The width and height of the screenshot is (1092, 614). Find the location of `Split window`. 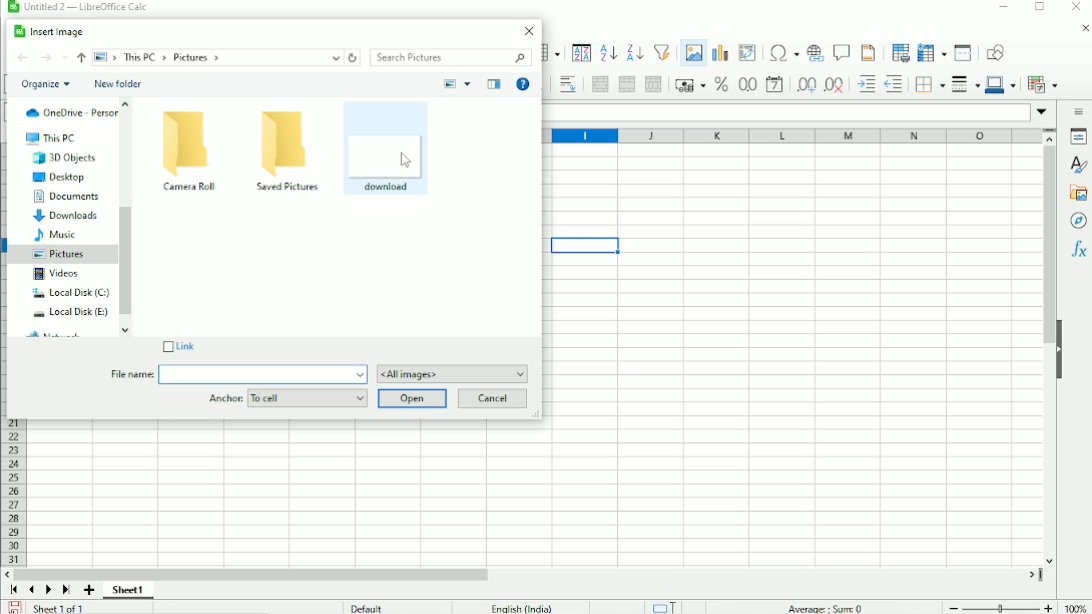

Split window is located at coordinates (963, 53).